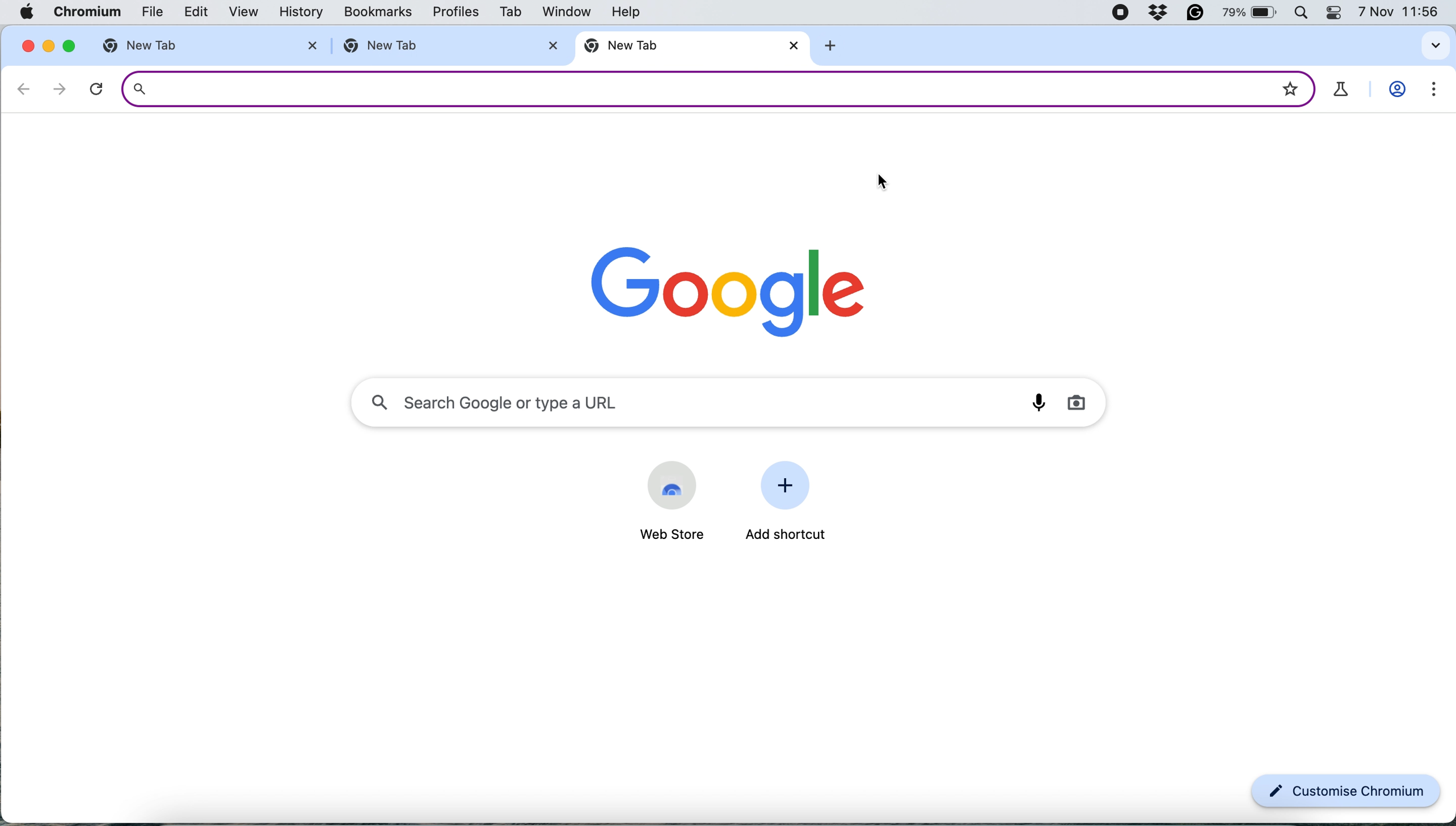 The image size is (1456, 826). Describe the element at coordinates (55, 88) in the screenshot. I see `go forward` at that location.